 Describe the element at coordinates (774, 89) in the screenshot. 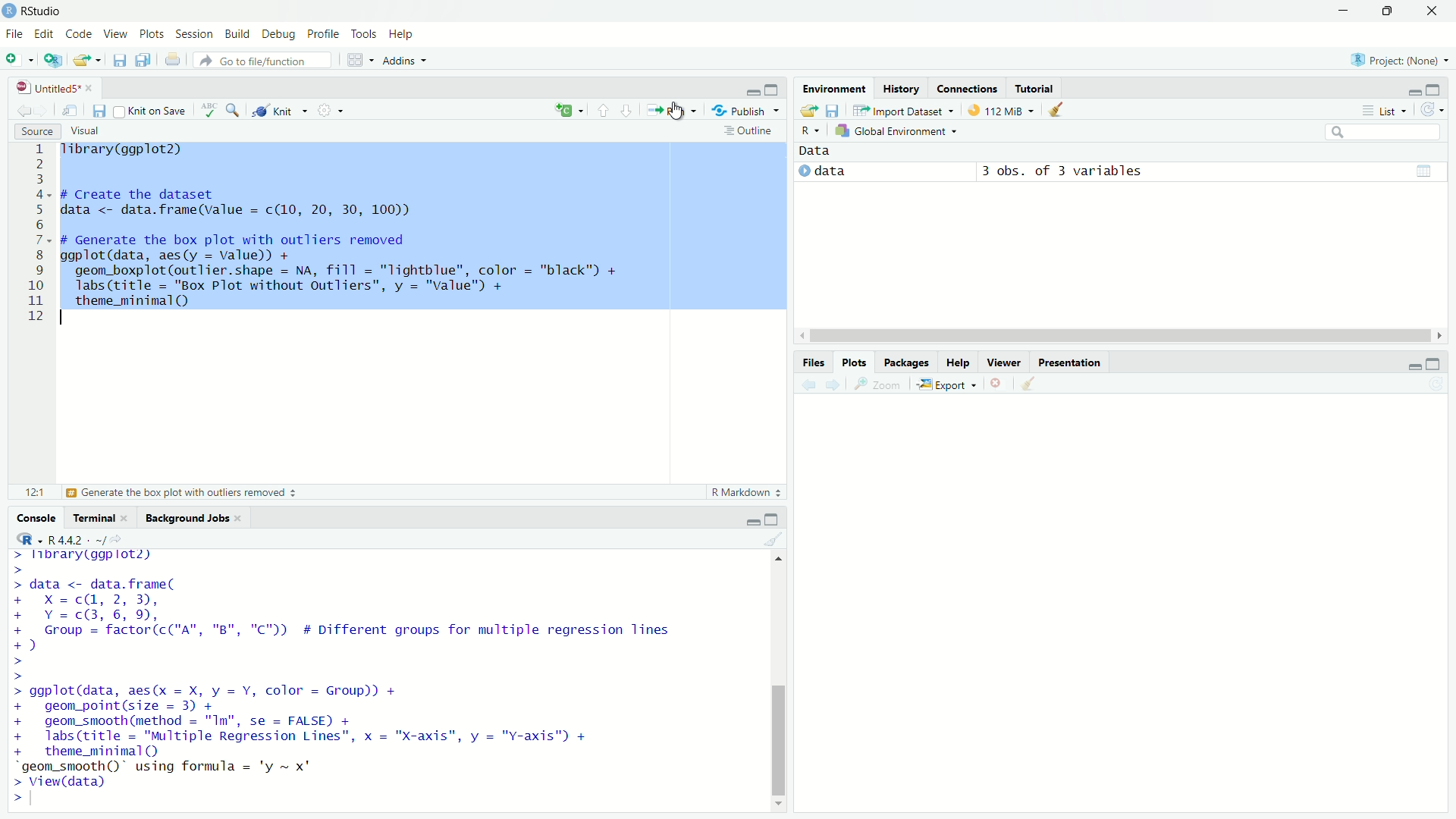

I see `maximise` at that location.